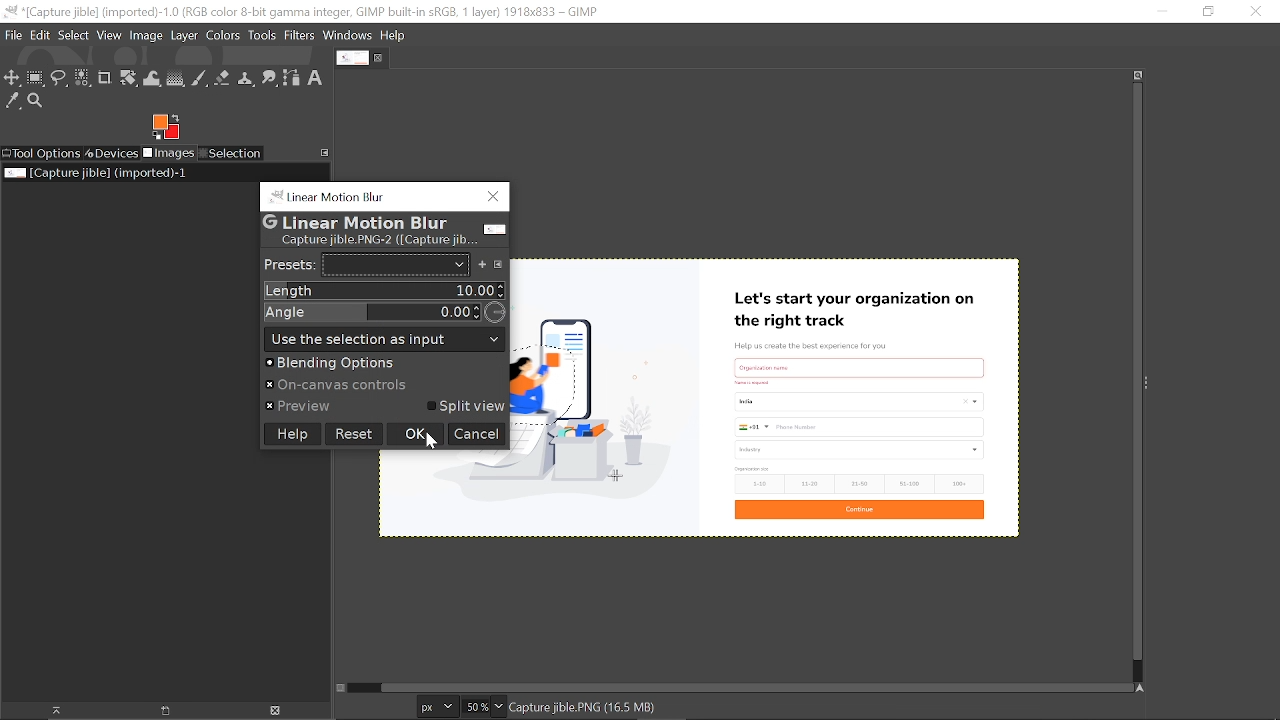  What do you see at coordinates (499, 706) in the screenshot?
I see `Zoom options` at bounding box center [499, 706].